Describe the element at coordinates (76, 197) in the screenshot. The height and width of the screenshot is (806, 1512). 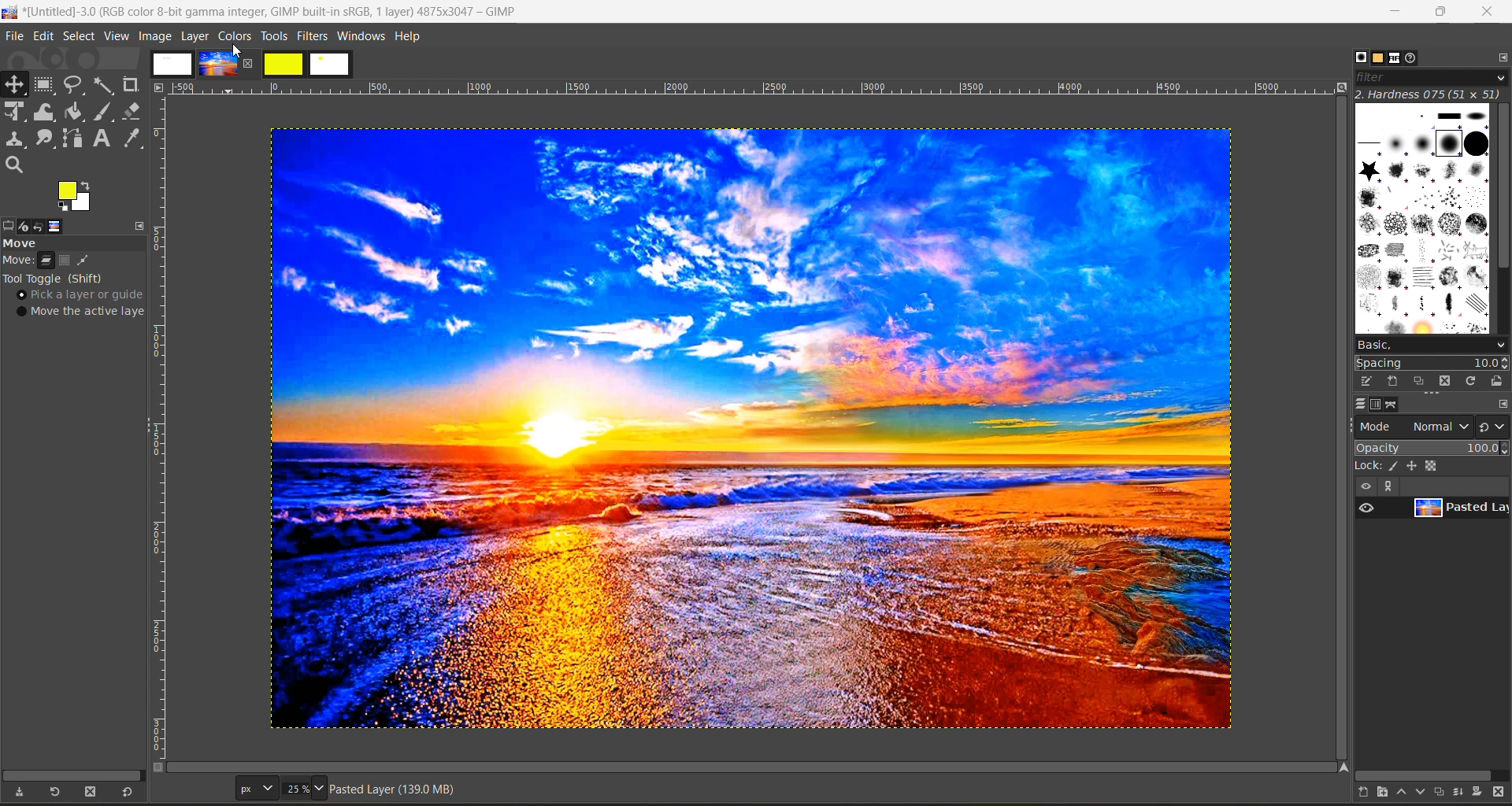
I see `active foreground and background color` at that location.